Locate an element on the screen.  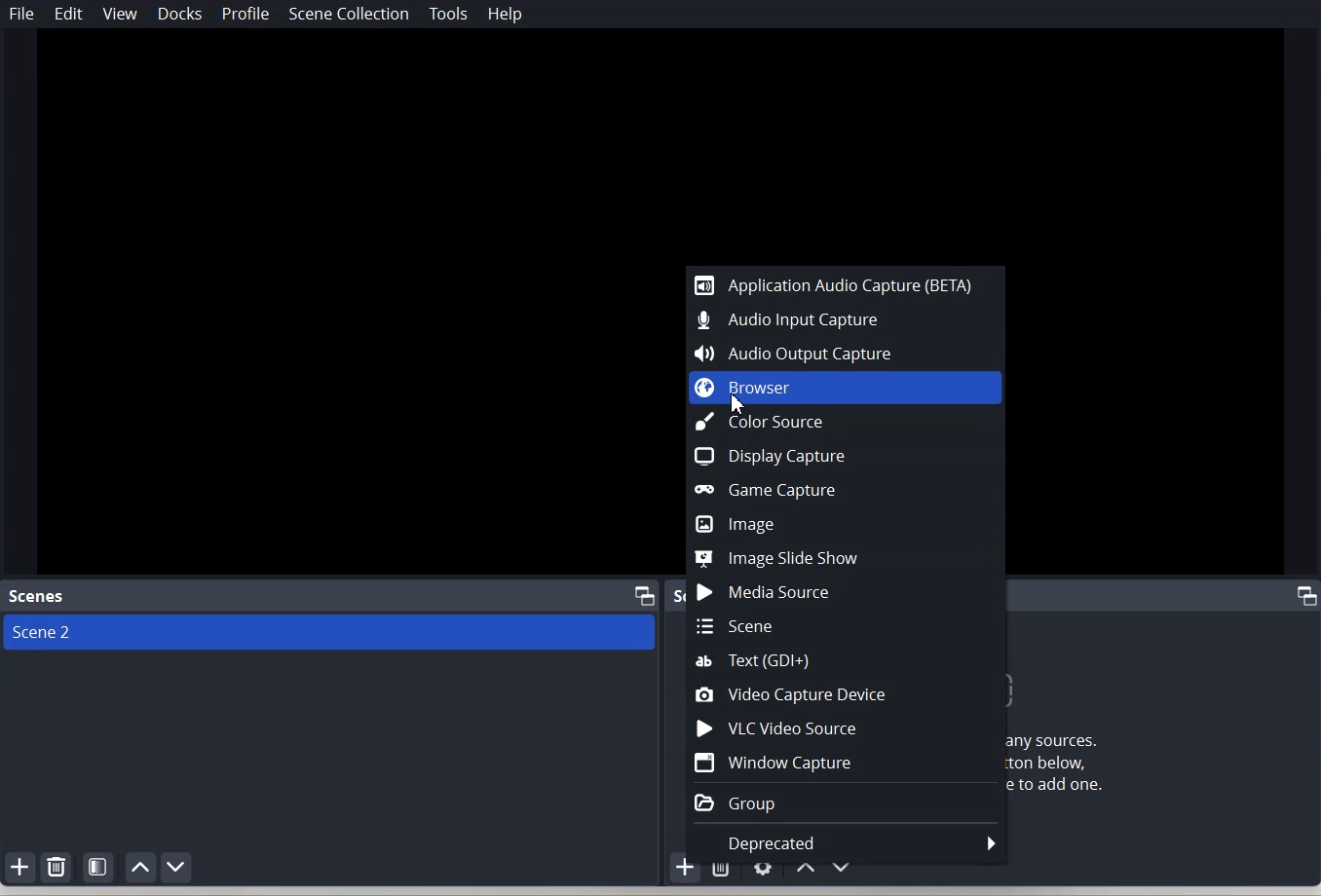
Remove selected Source is located at coordinates (722, 871).